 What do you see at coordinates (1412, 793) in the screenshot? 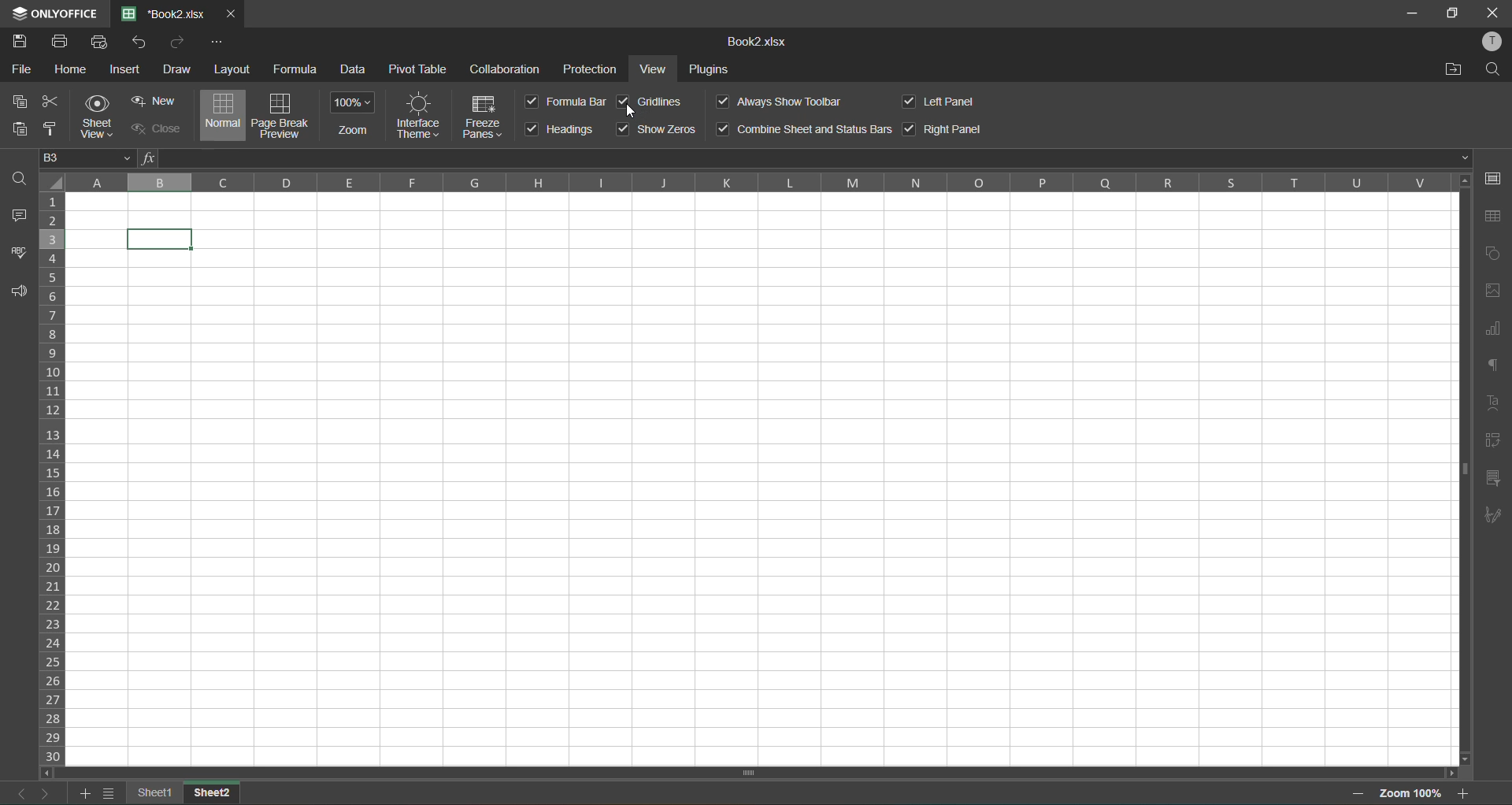
I see `zoom factor` at bounding box center [1412, 793].